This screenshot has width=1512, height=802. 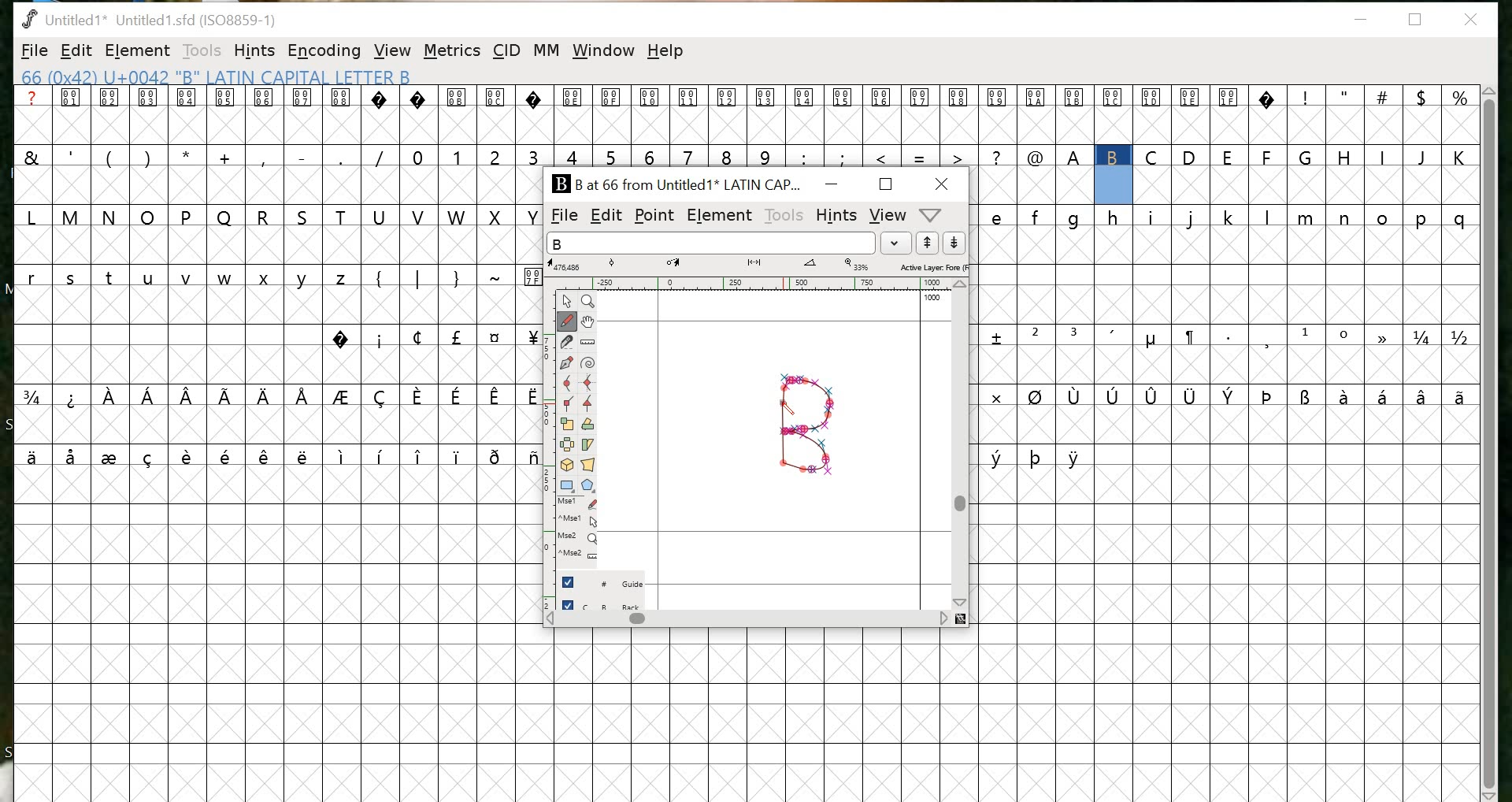 What do you see at coordinates (667, 54) in the screenshot?
I see `help` at bounding box center [667, 54].